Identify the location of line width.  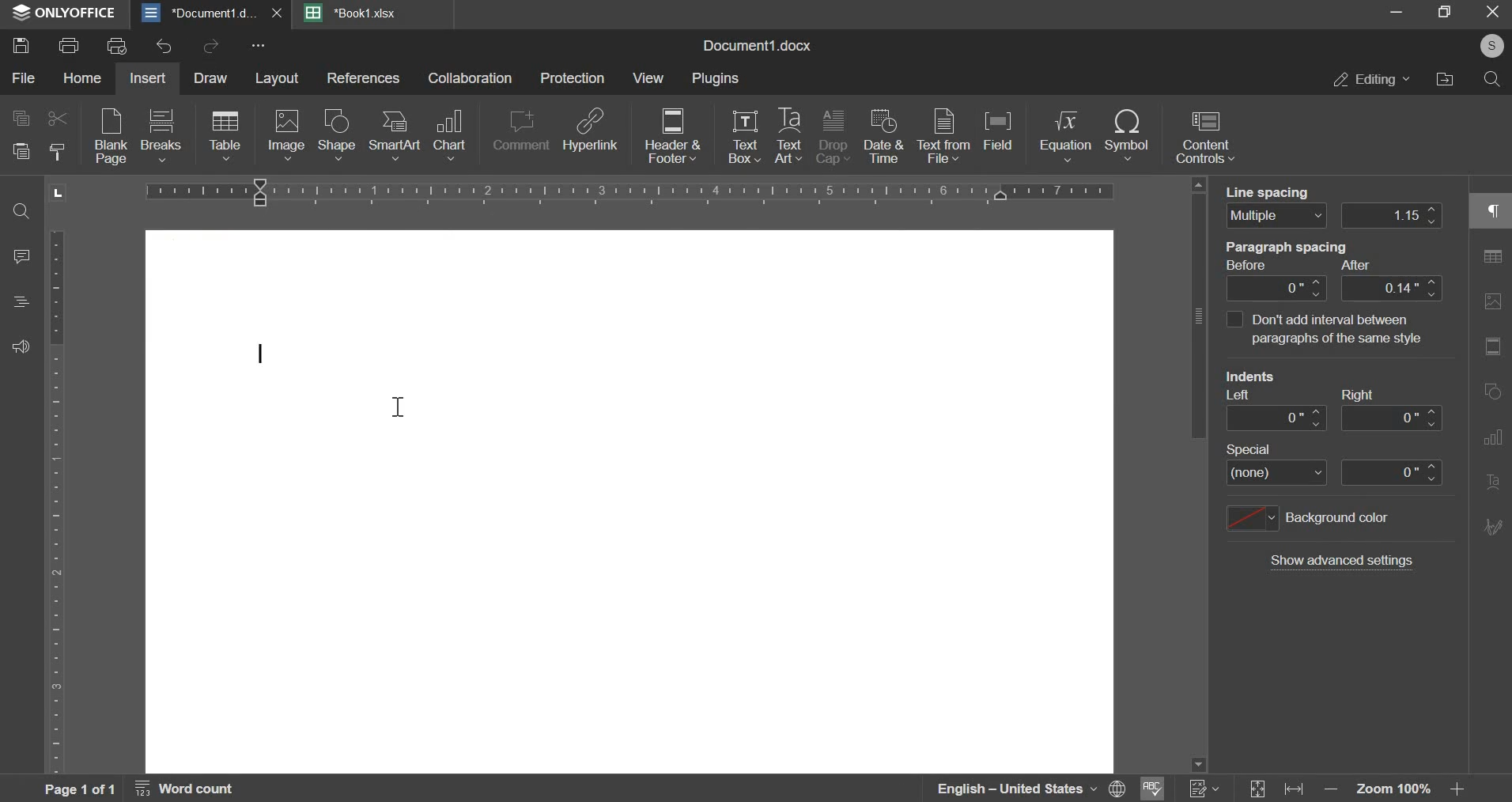
(1393, 214).